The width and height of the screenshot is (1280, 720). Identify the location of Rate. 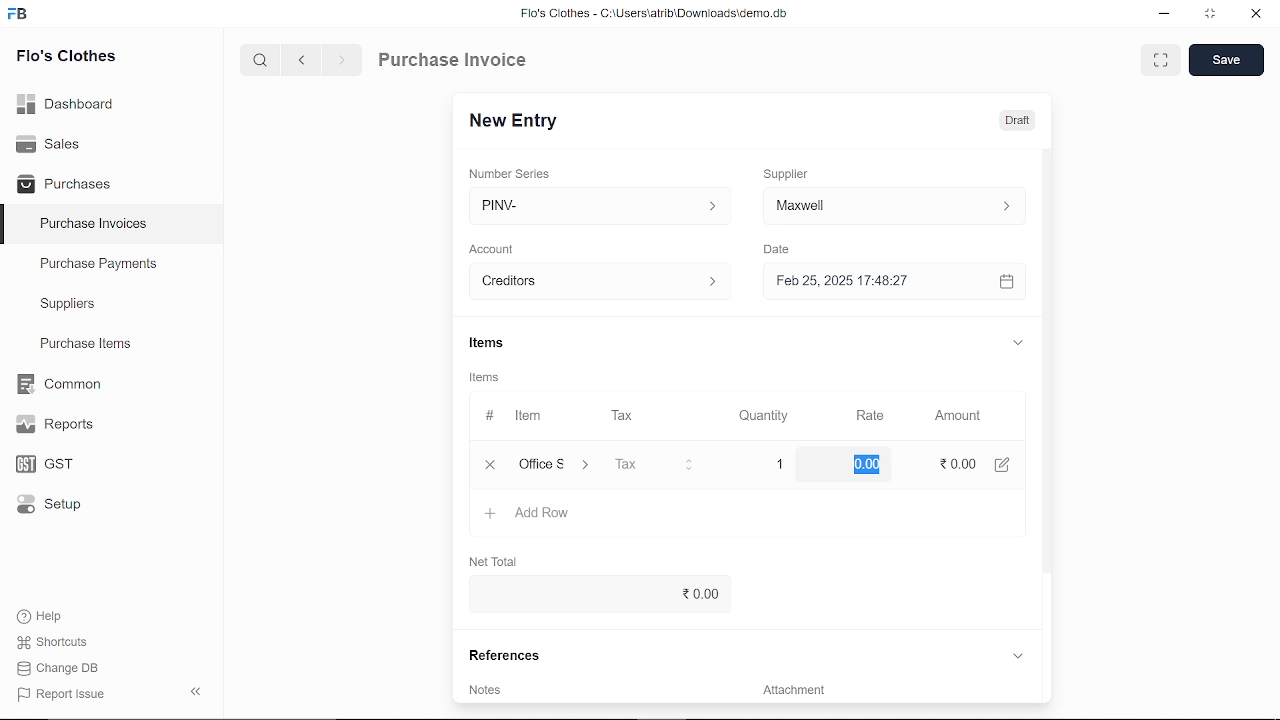
(867, 415).